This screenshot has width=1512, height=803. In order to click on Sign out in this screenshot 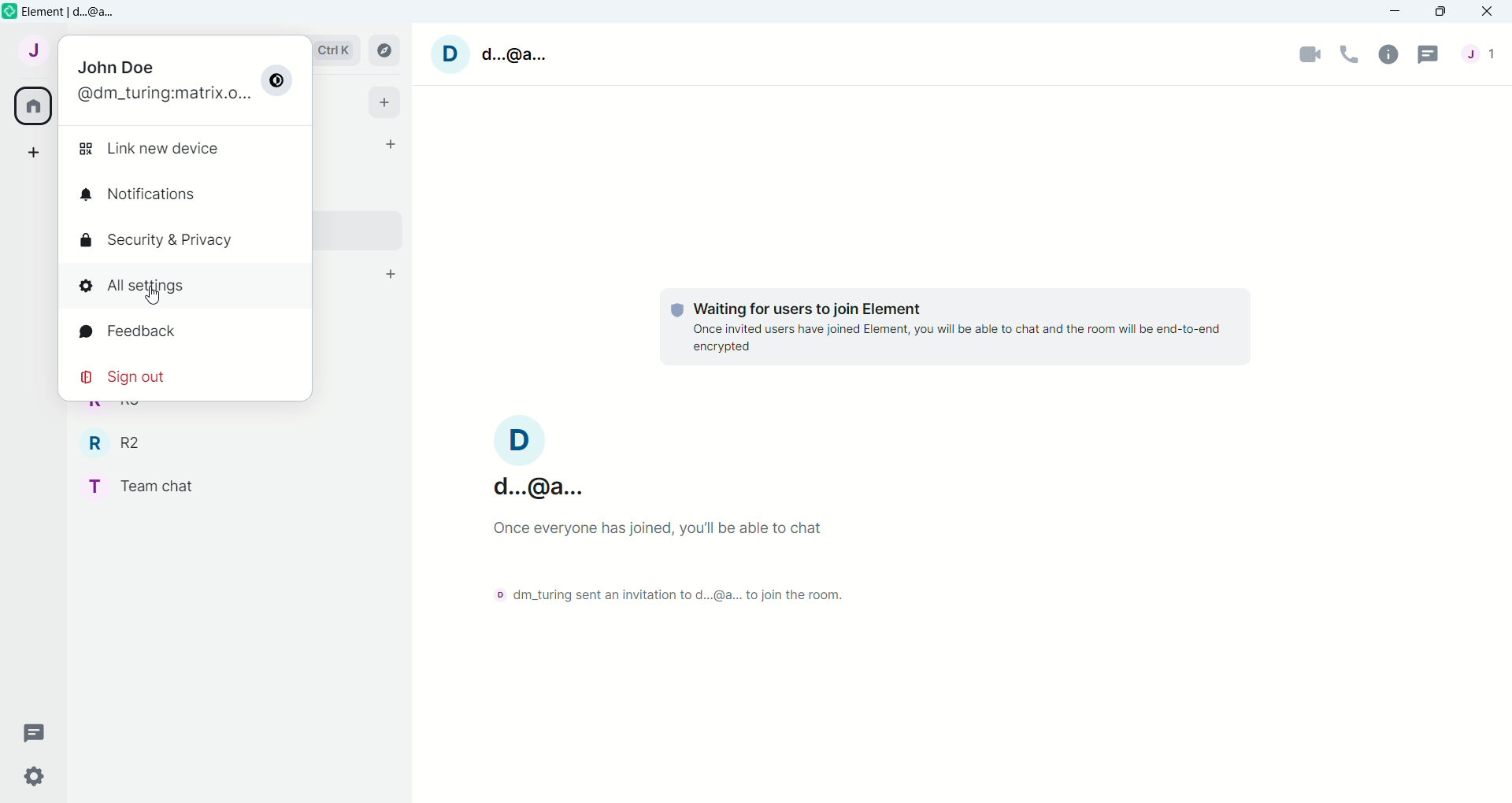, I will do `click(126, 377)`.